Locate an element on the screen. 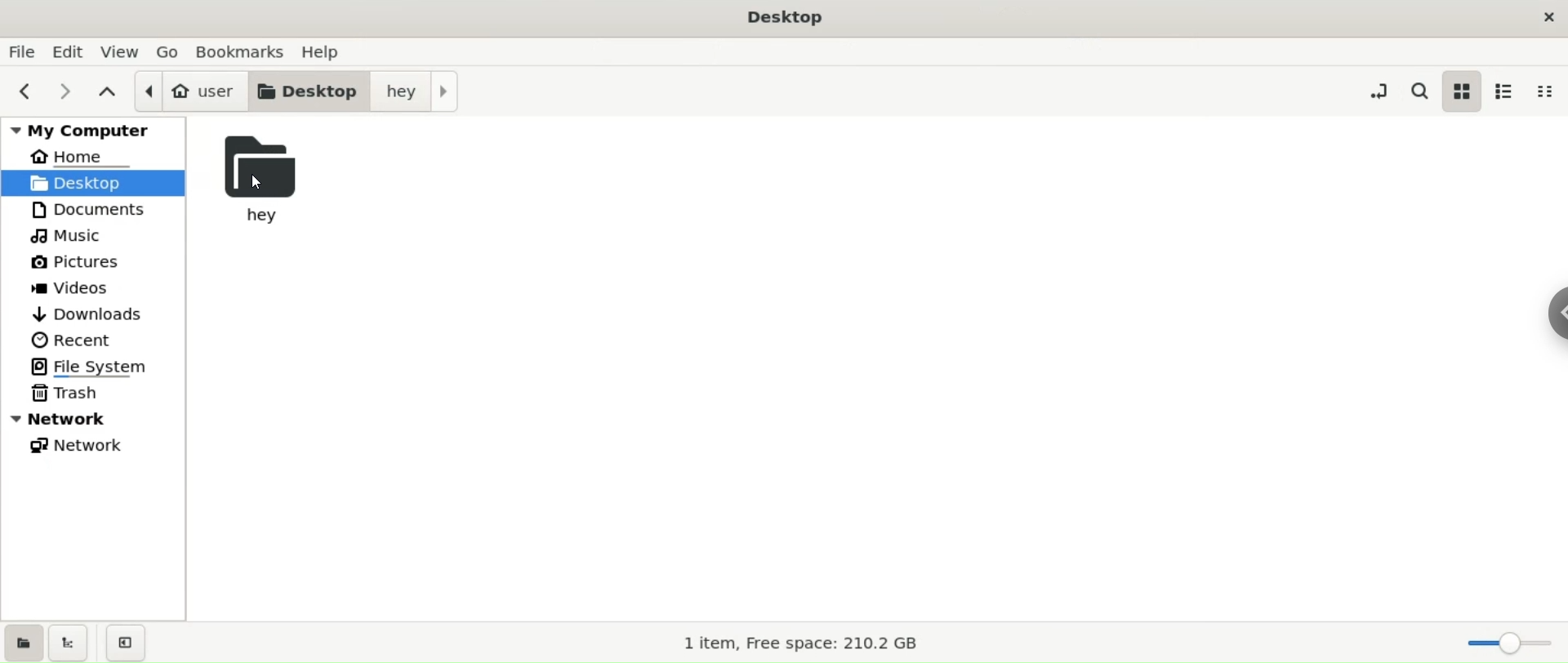 Image resolution: width=1568 pixels, height=663 pixels. filesystem is located at coordinates (95, 367).